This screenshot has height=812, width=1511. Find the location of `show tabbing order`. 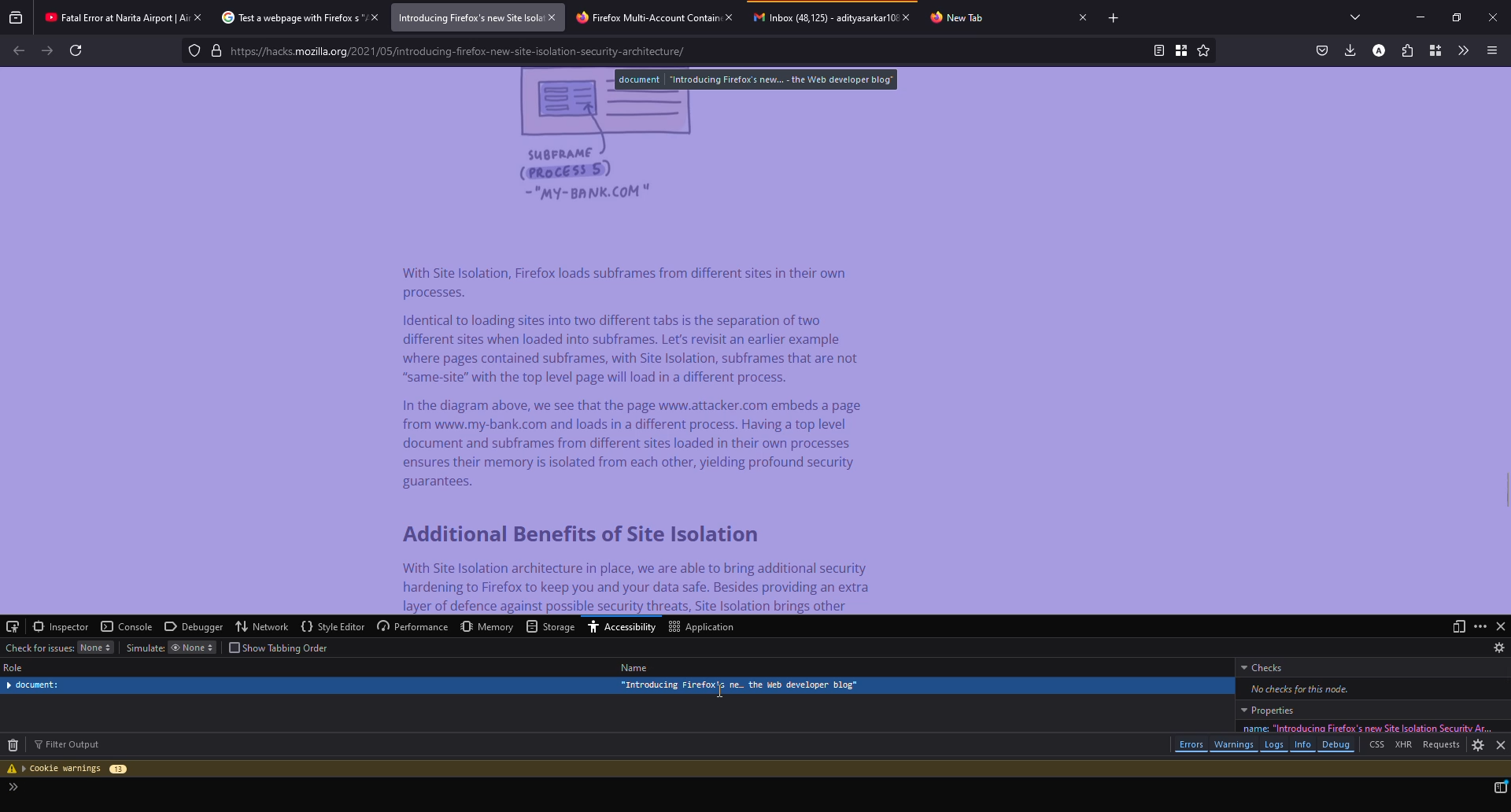

show tabbing order is located at coordinates (284, 648).